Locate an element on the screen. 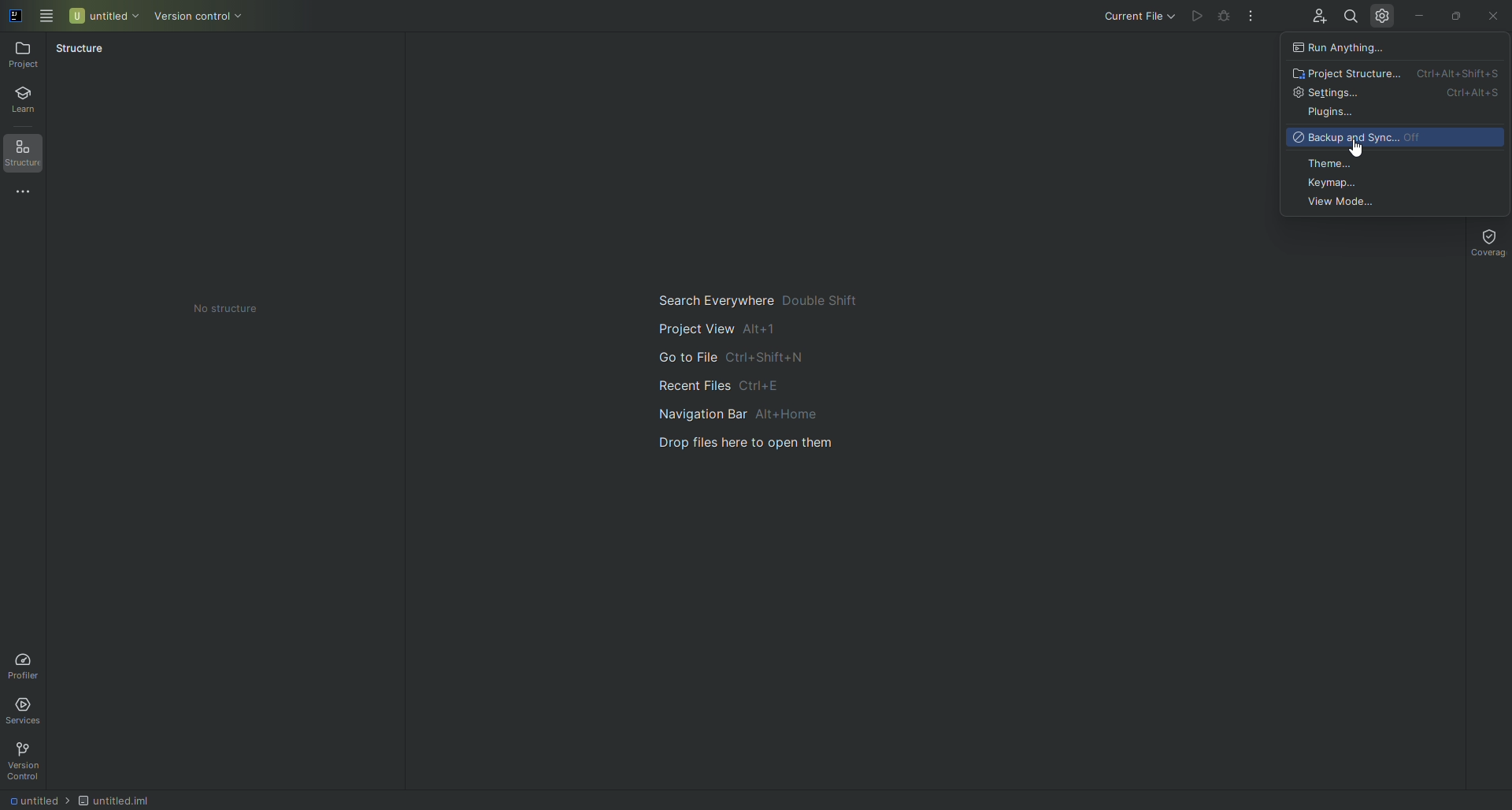 This screenshot has width=1512, height=810. Learn is located at coordinates (31, 102).